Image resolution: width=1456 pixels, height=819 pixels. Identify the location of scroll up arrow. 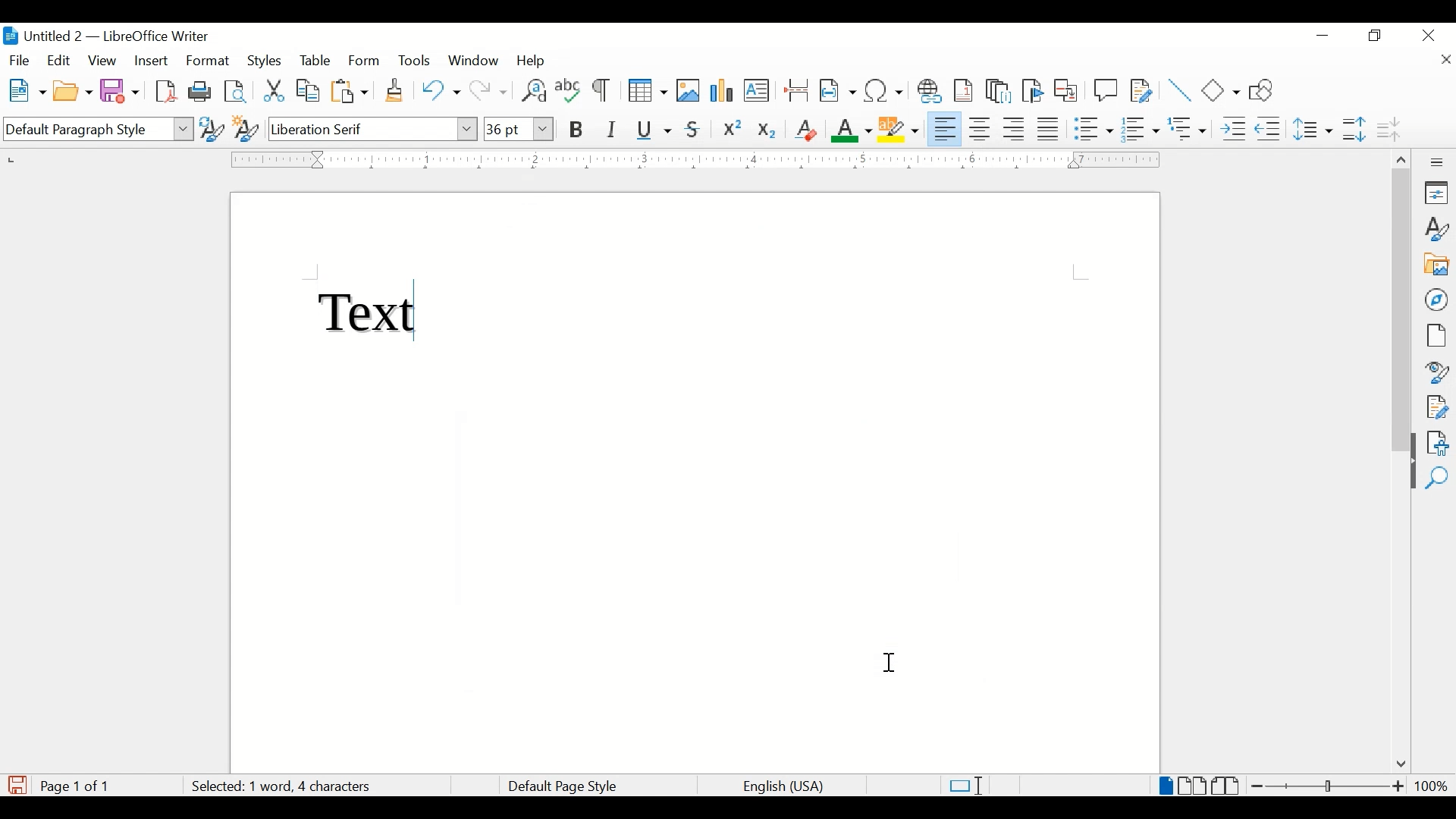
(1399, 157).